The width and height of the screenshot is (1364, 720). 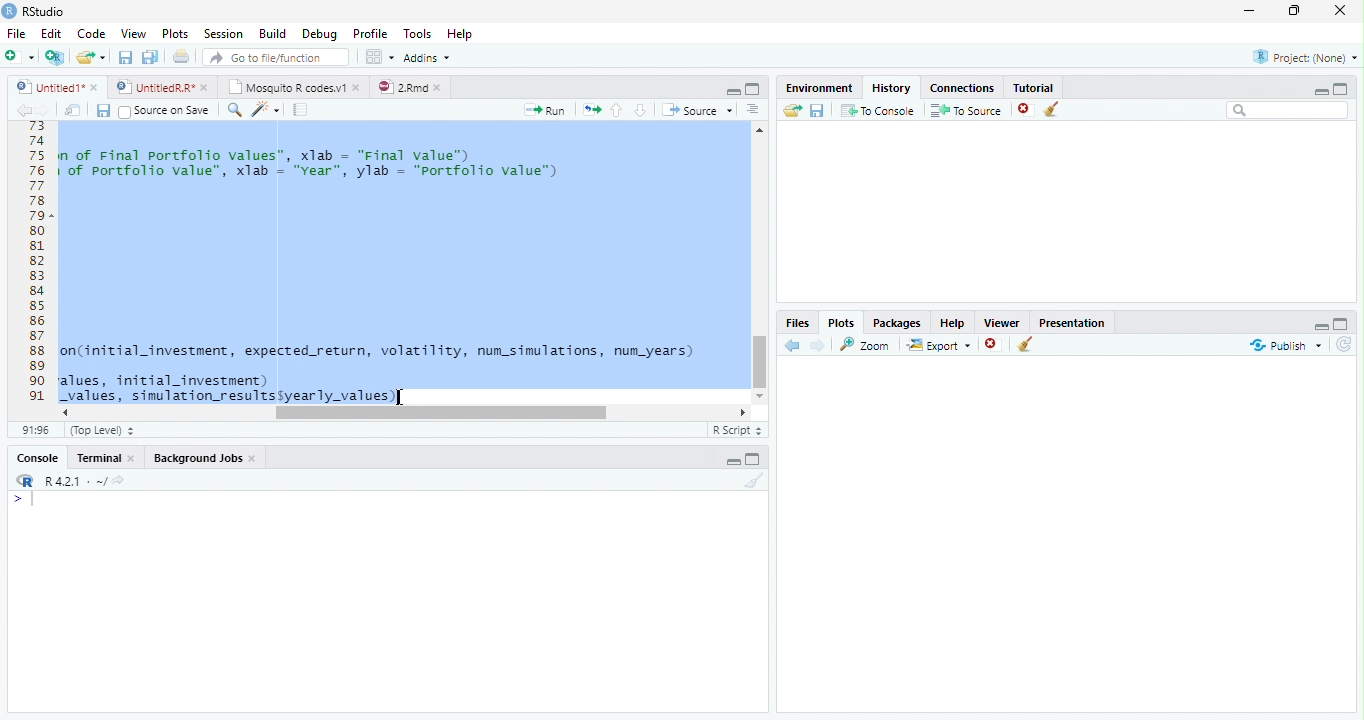 I want to click on Help, so click(x=462, y=35).